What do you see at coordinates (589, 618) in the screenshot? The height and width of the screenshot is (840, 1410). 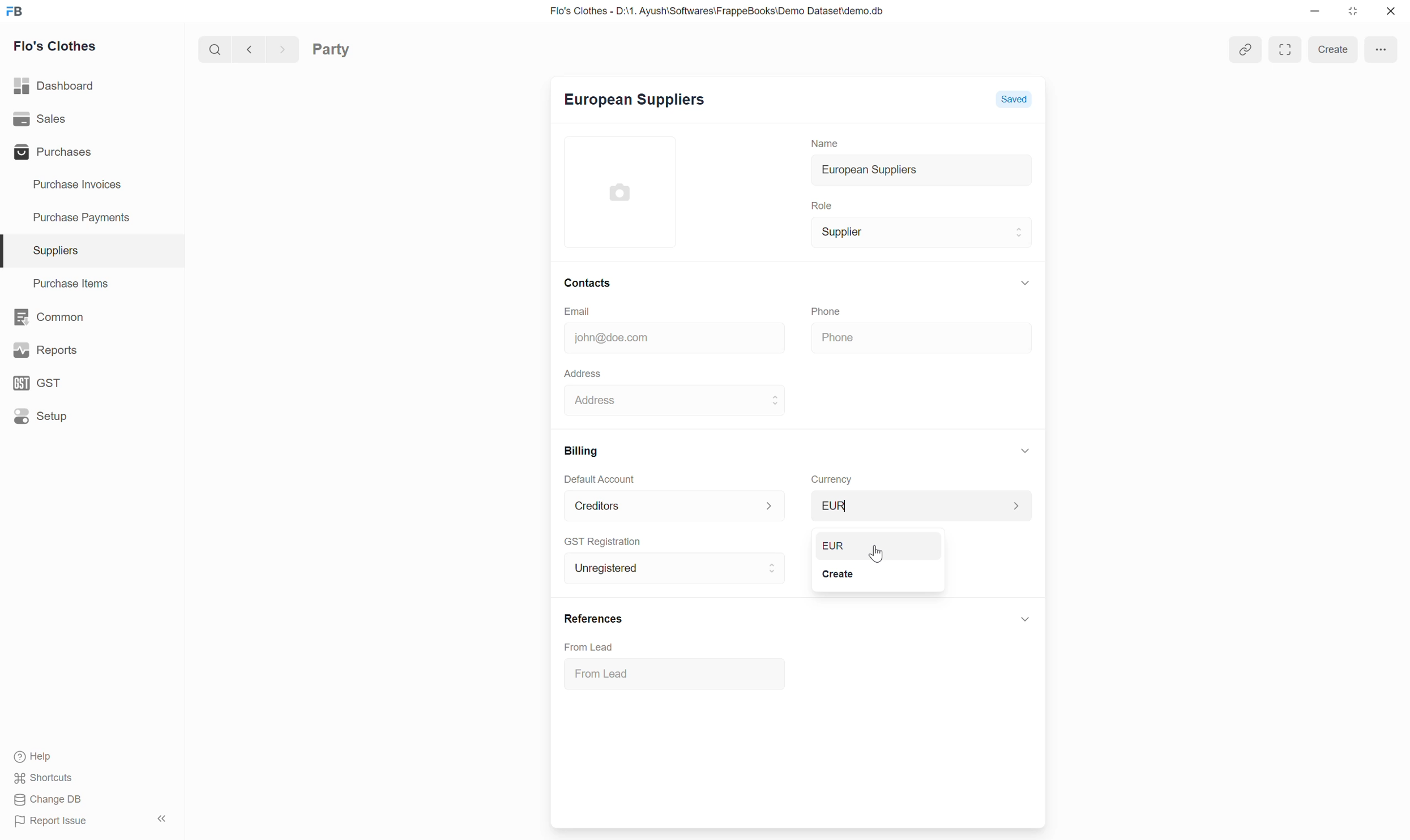 I see `References` at bounding box center [589, 618].